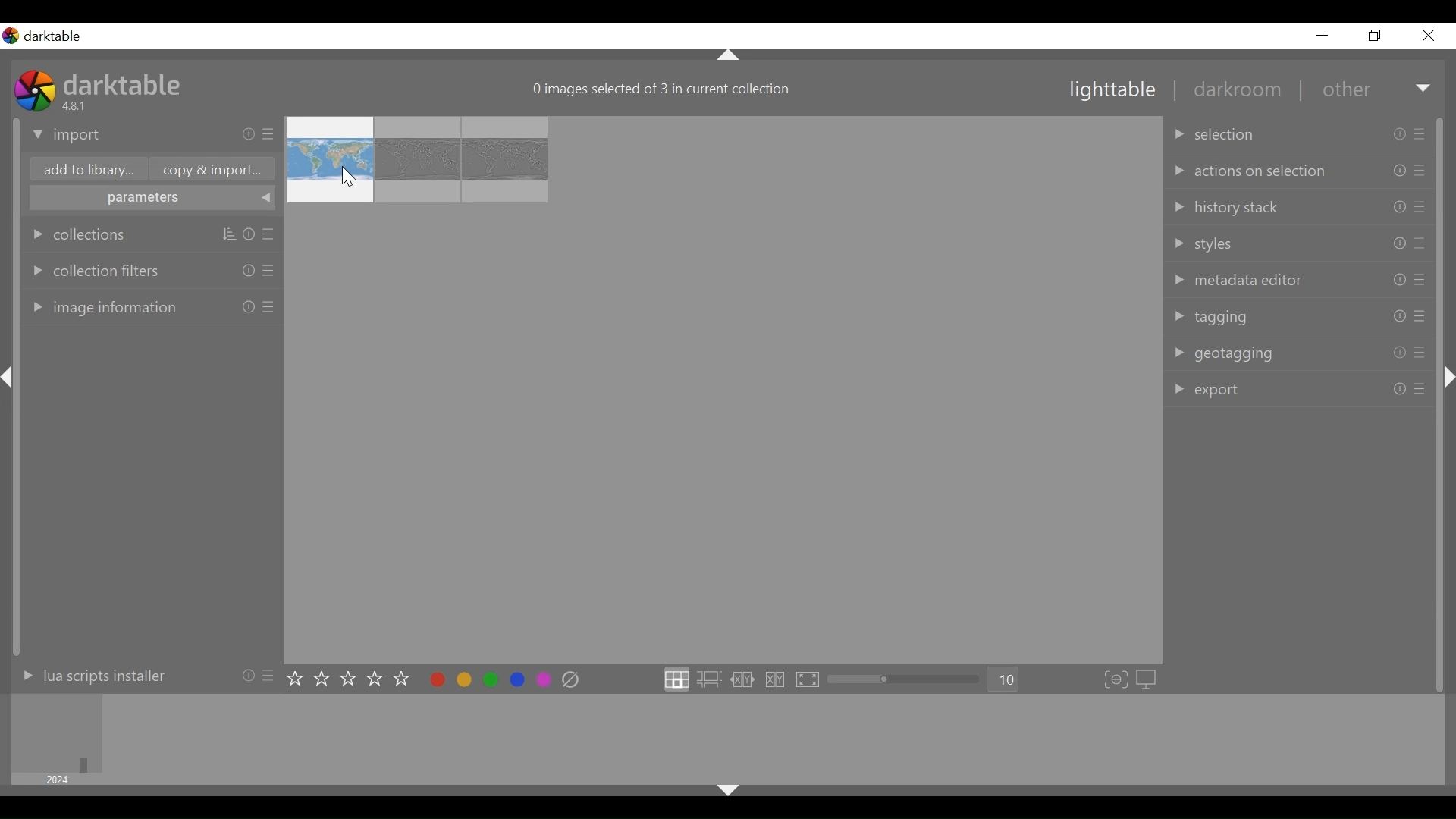 This screenshot has height=819, width=1456. What do you see at coordinates (726, 54) in the screenshot?
I see `` at bounding box center [726, 54].